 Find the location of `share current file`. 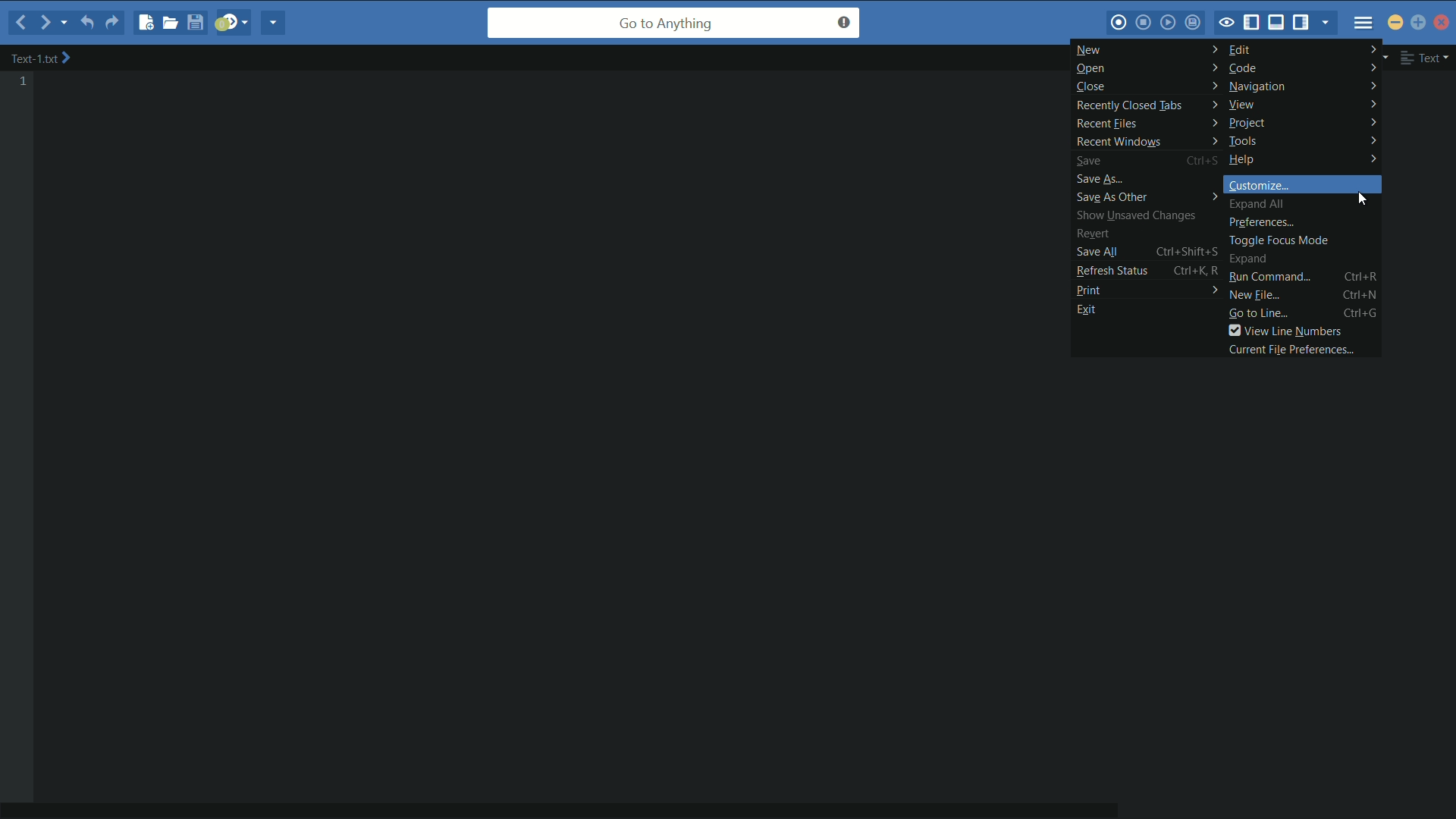

share current file is located at coordinates (271, 22).